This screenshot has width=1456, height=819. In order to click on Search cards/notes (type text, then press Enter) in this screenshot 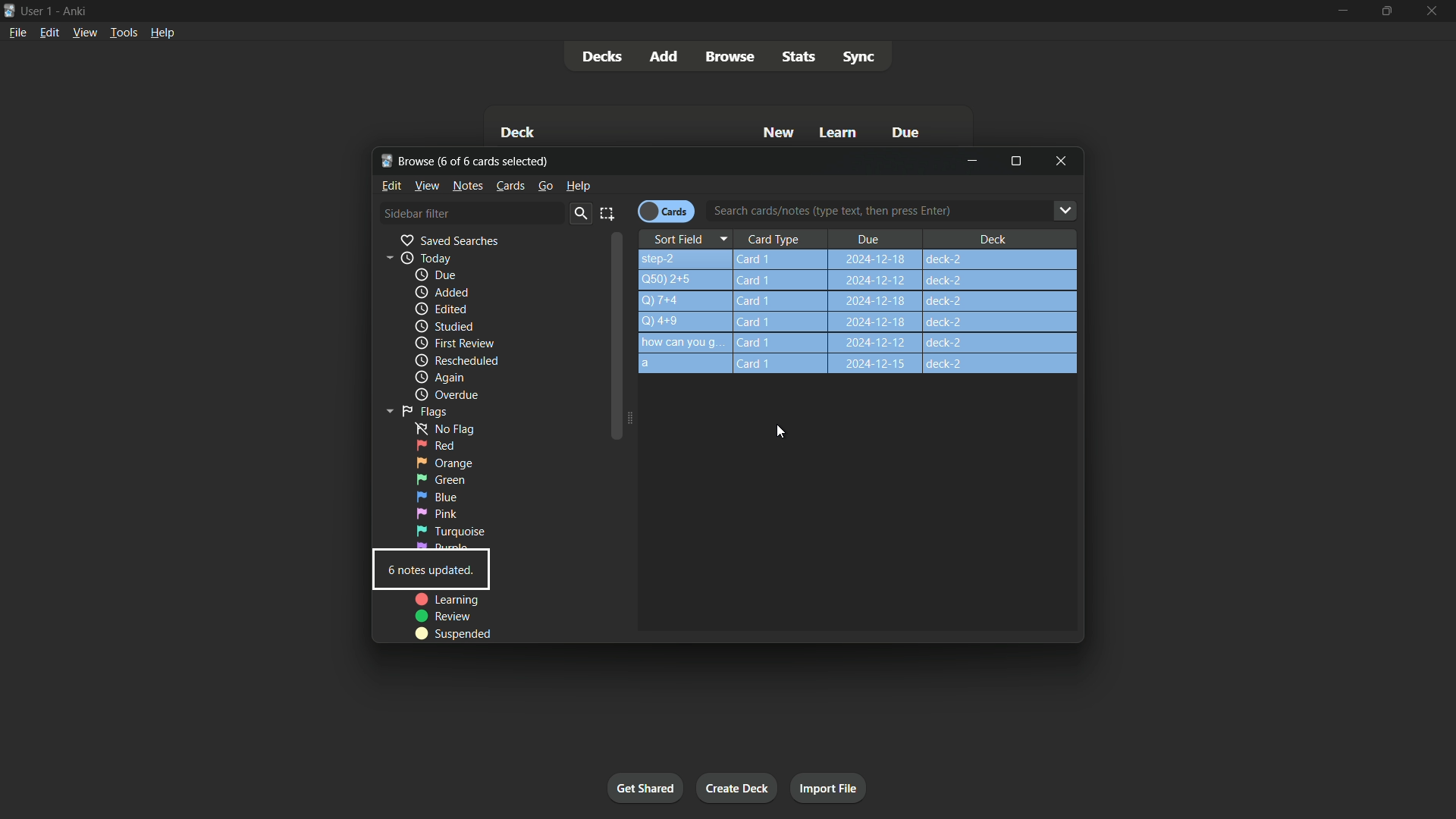, I will do `click(898, 212)`.